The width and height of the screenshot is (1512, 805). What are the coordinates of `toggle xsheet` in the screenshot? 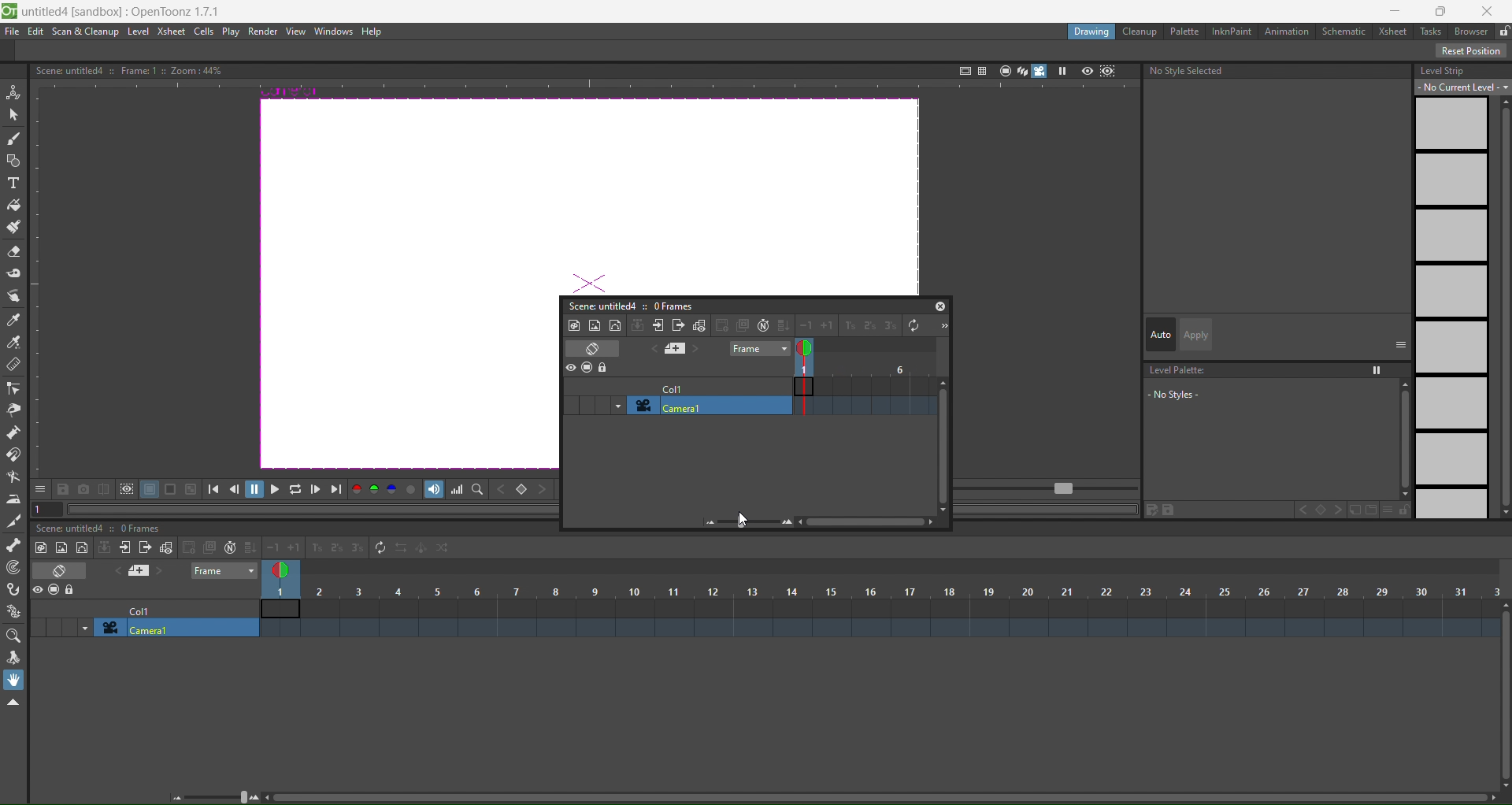 It's located at (65, 570).